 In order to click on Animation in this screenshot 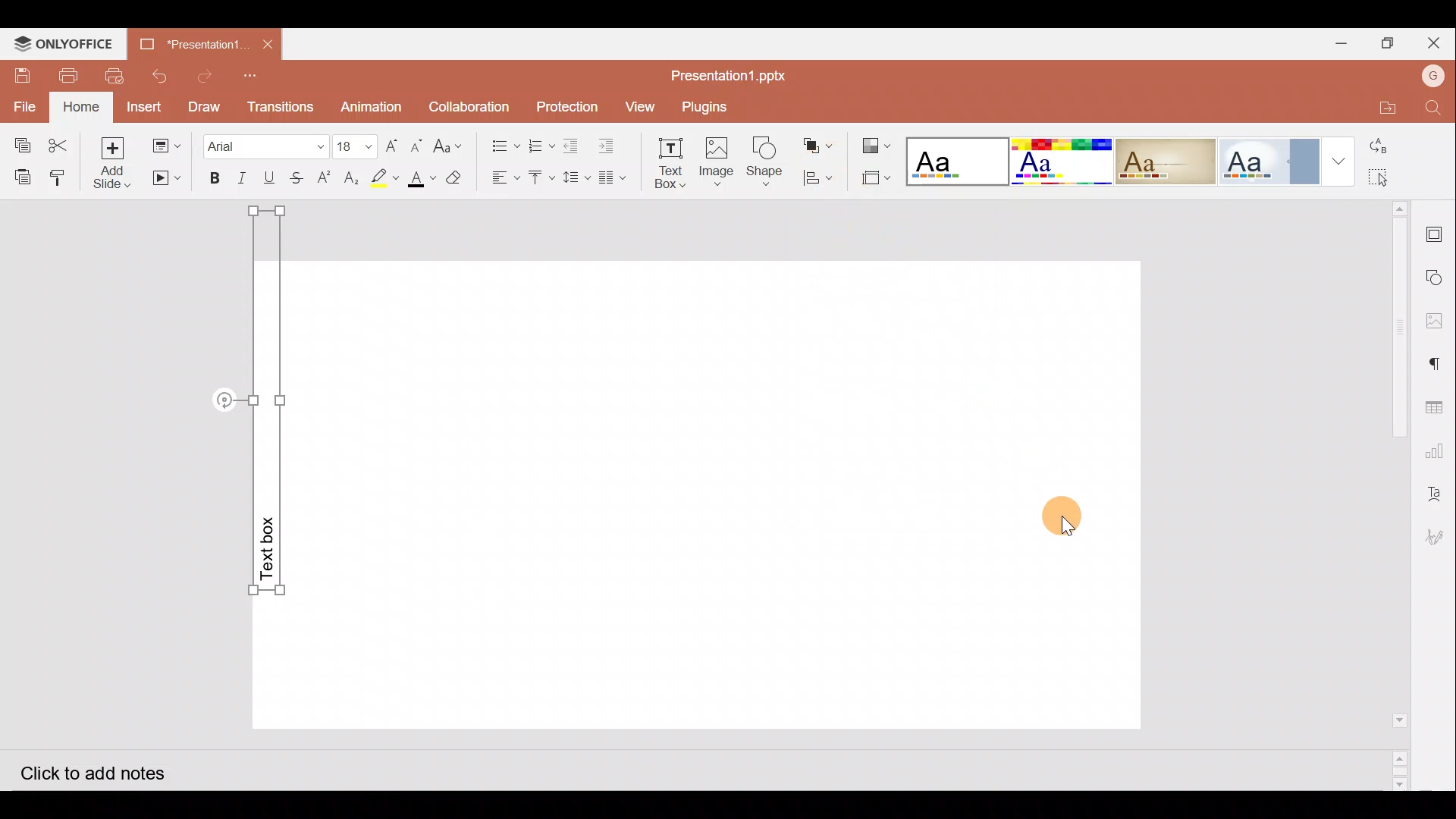, I will do `click(372, 107)`.